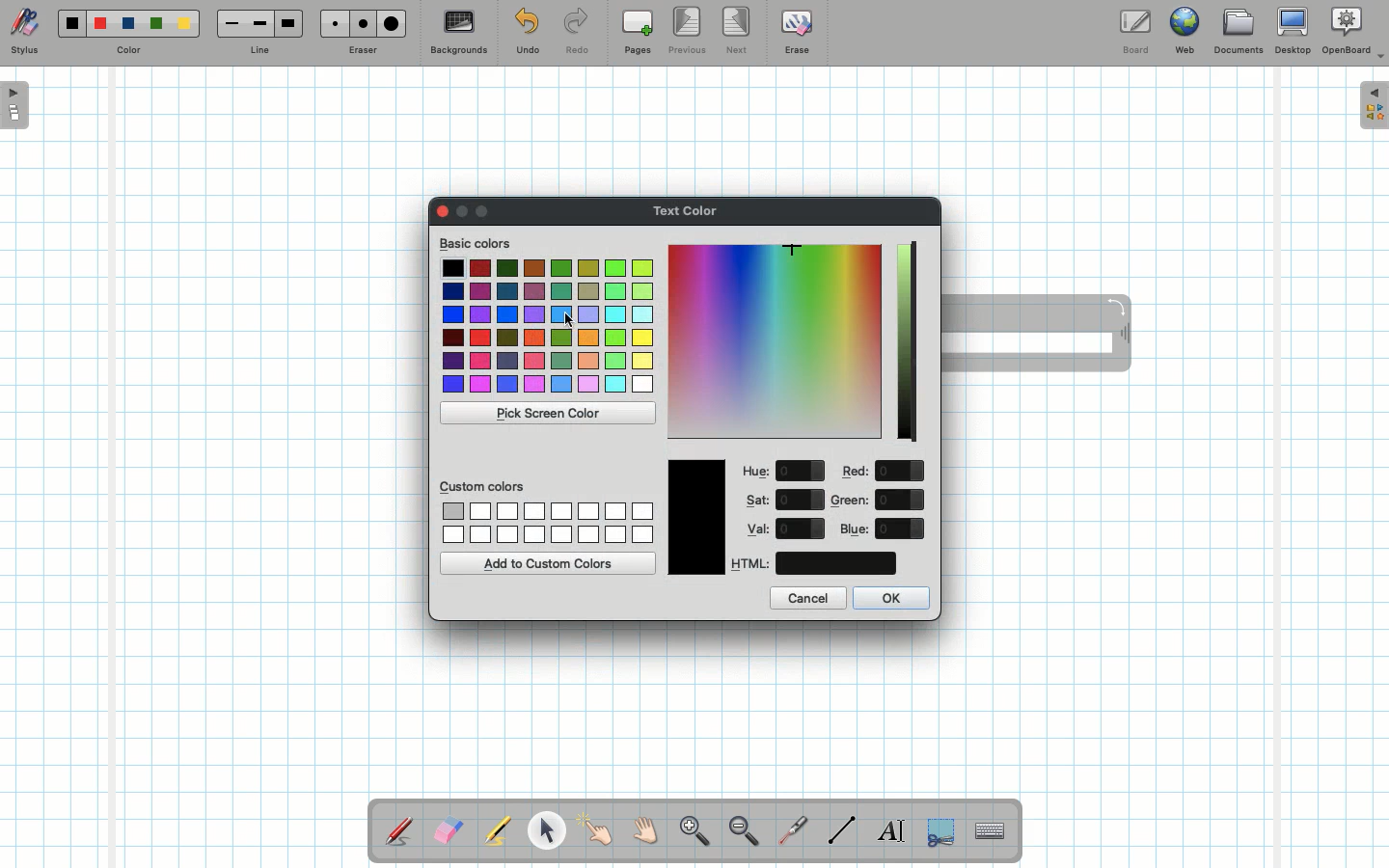 This screenshot has height=868, width=1389. I want to click on Eraser, so click(362, 52).